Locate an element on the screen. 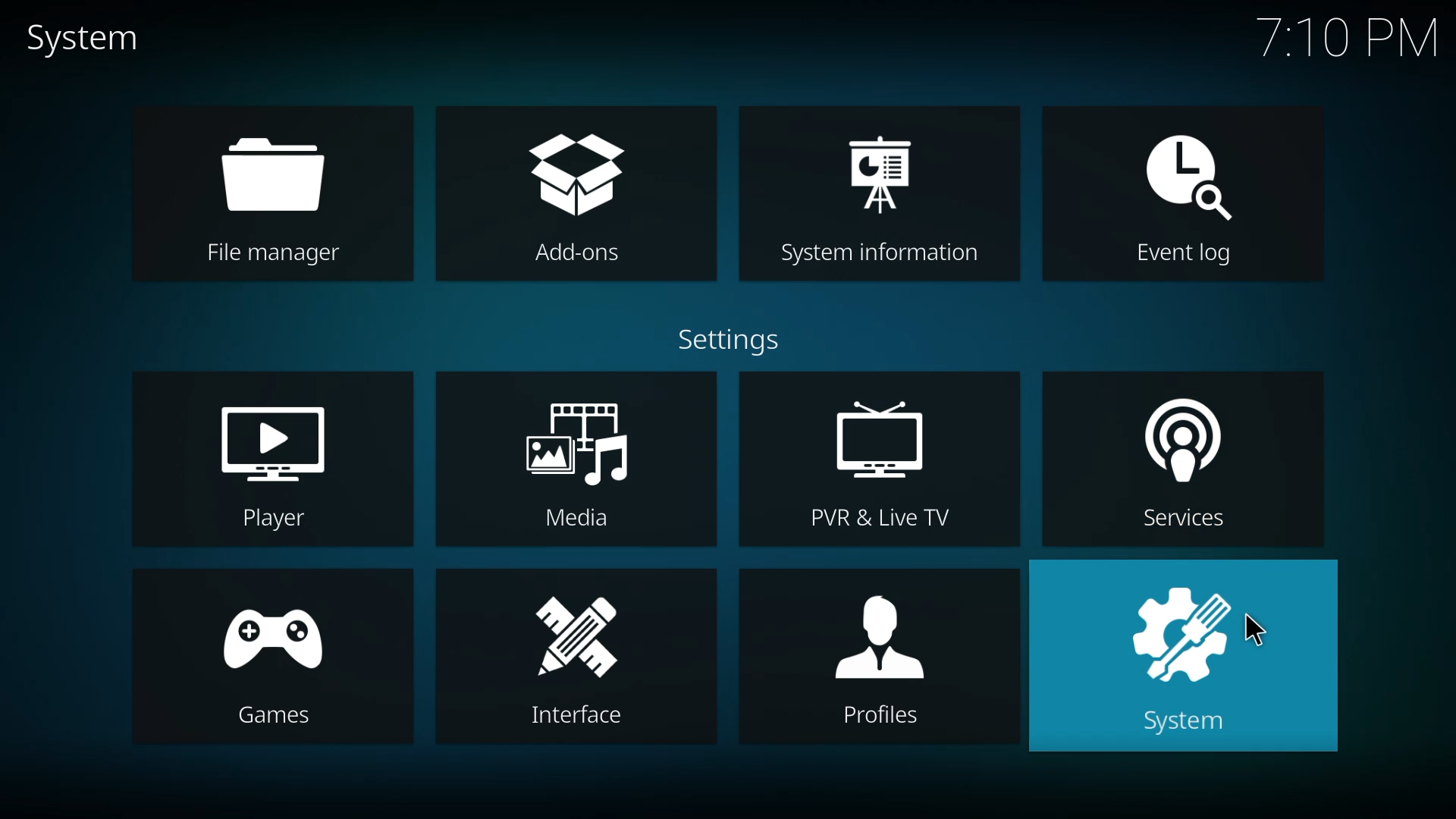 This screenshot has width=1456, height=819. media is located at coordinates (581, 467).